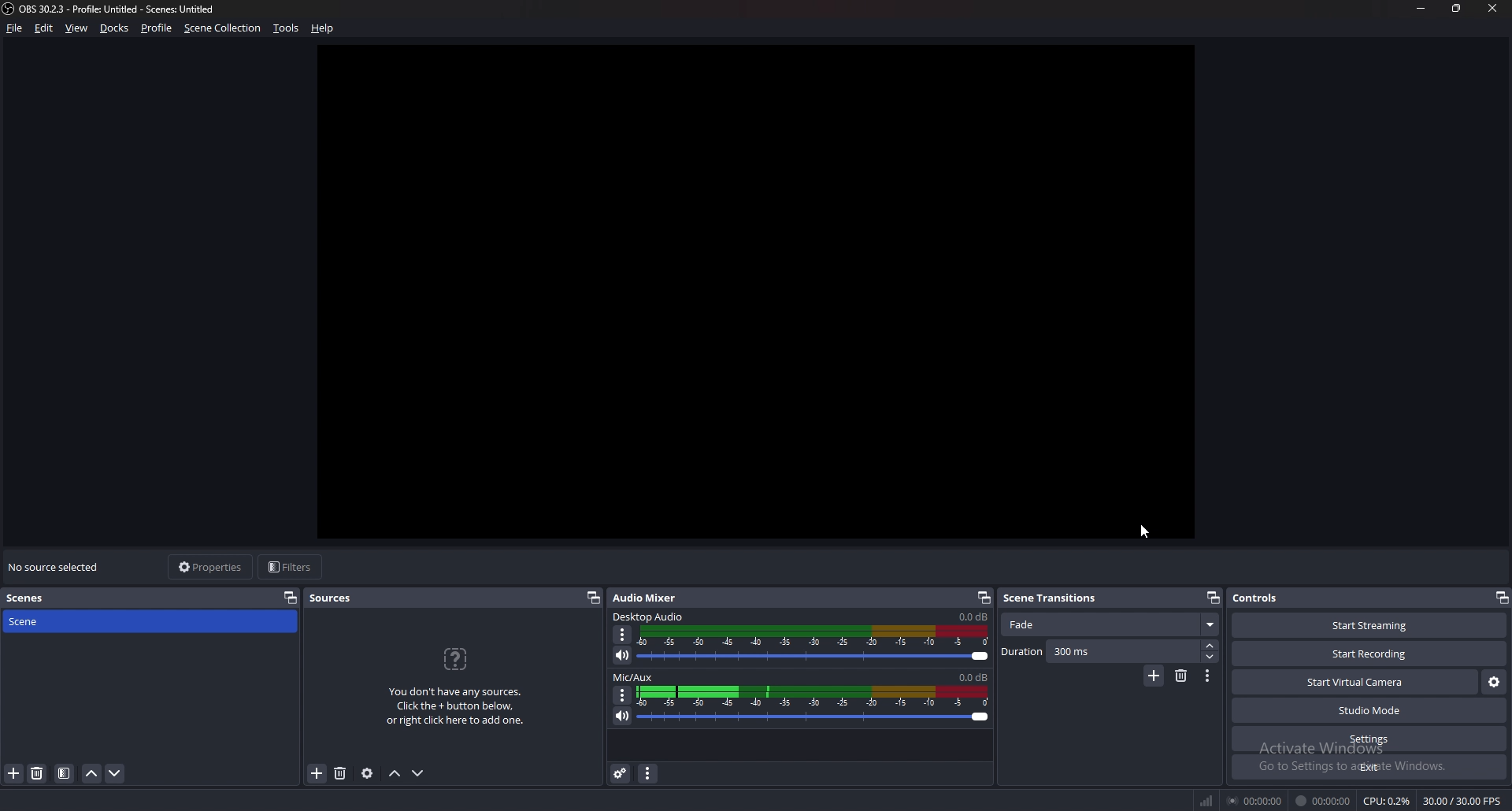 The height and width of the screenshot is (811, 1512). What do you see at coordinates (58, 568) in the screenshot?
I see `no souce selected` at bounding box center [58, 568].